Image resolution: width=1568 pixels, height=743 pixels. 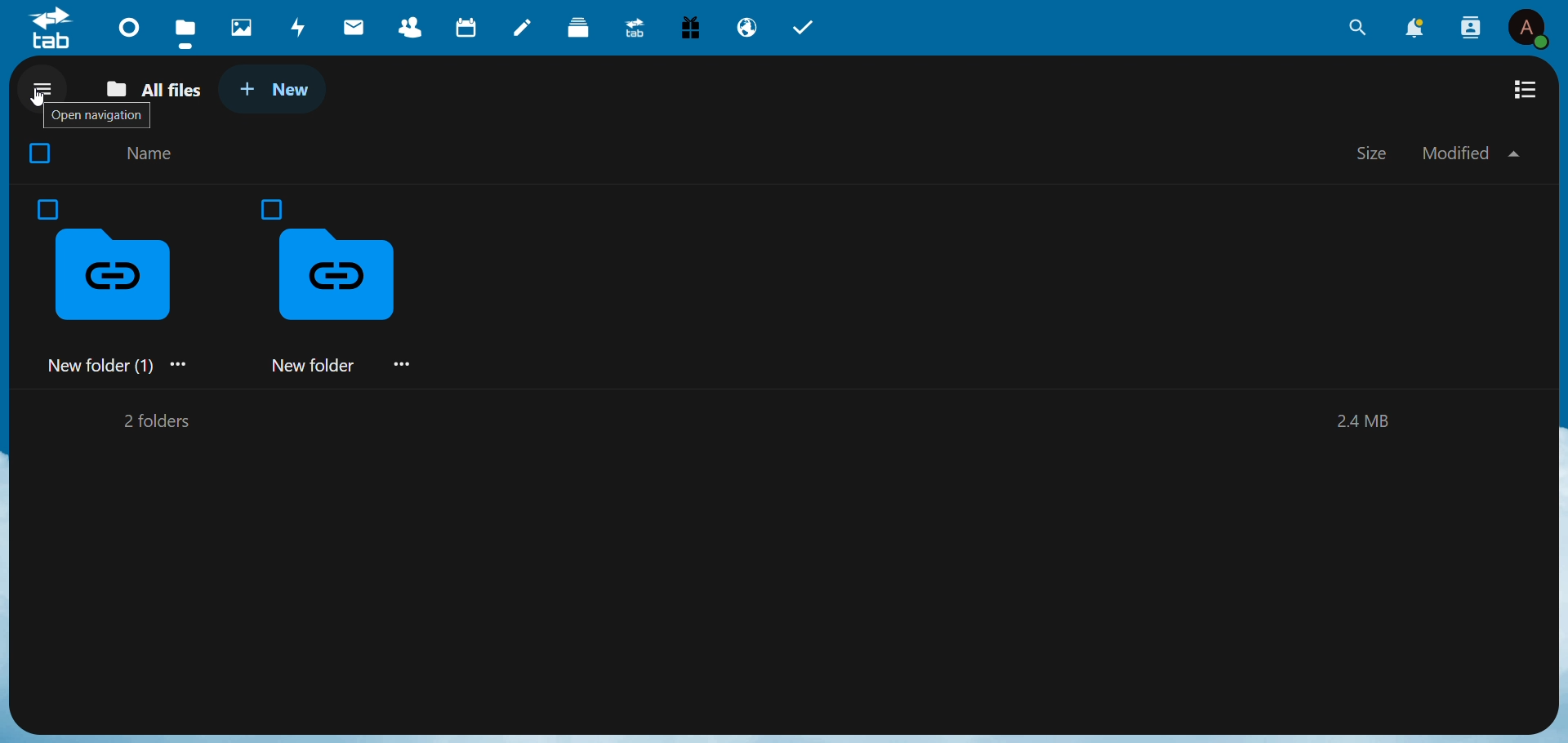 What do you see at coordinates (581, 28) in the screenshot?
I see `deck` at bounding box center [581, 28].